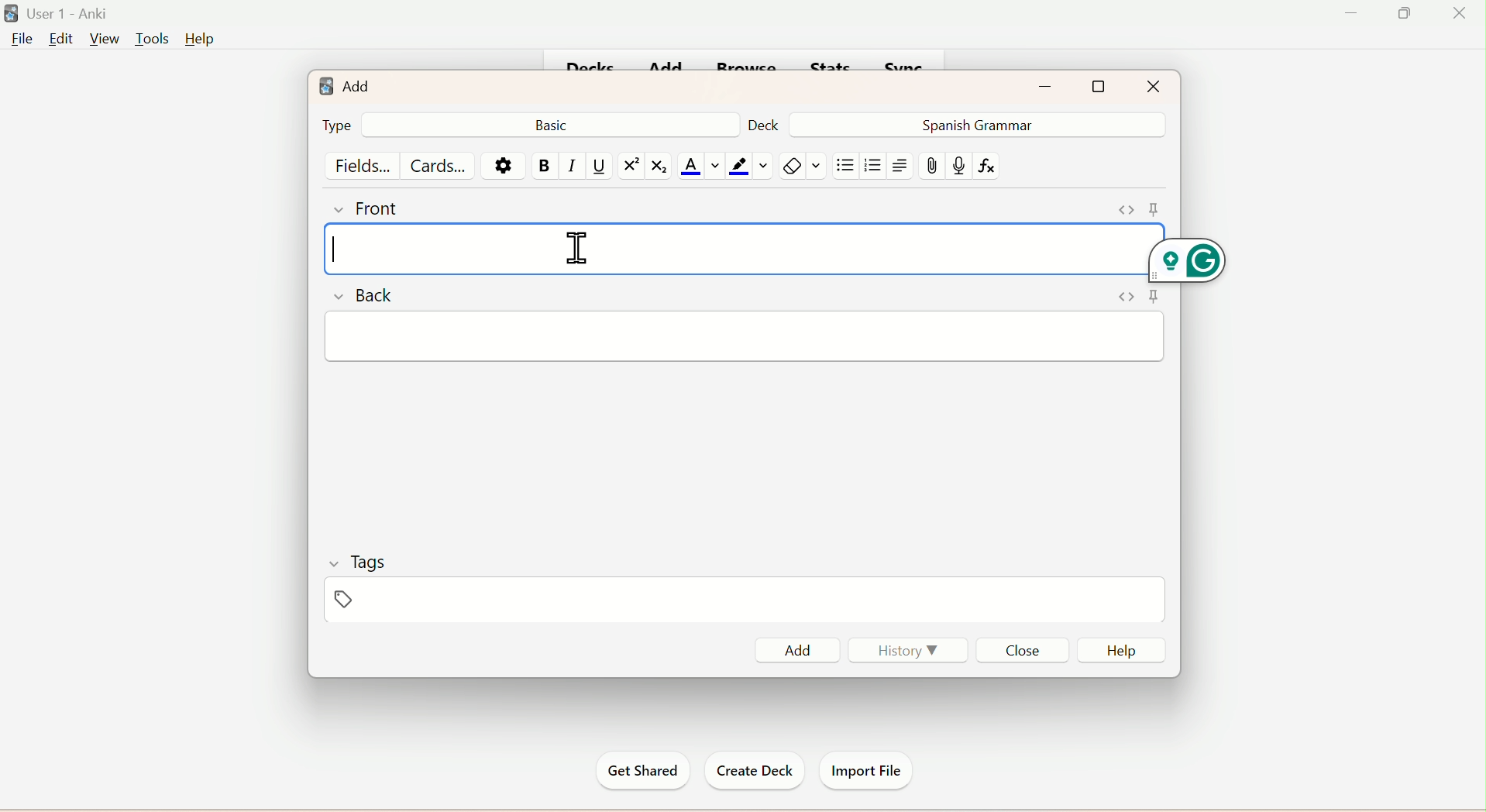 The width and height of the screenshot is (1486, 812). Describe the element at coordinates (22, 43) in the screenshot. I see `` at that location.